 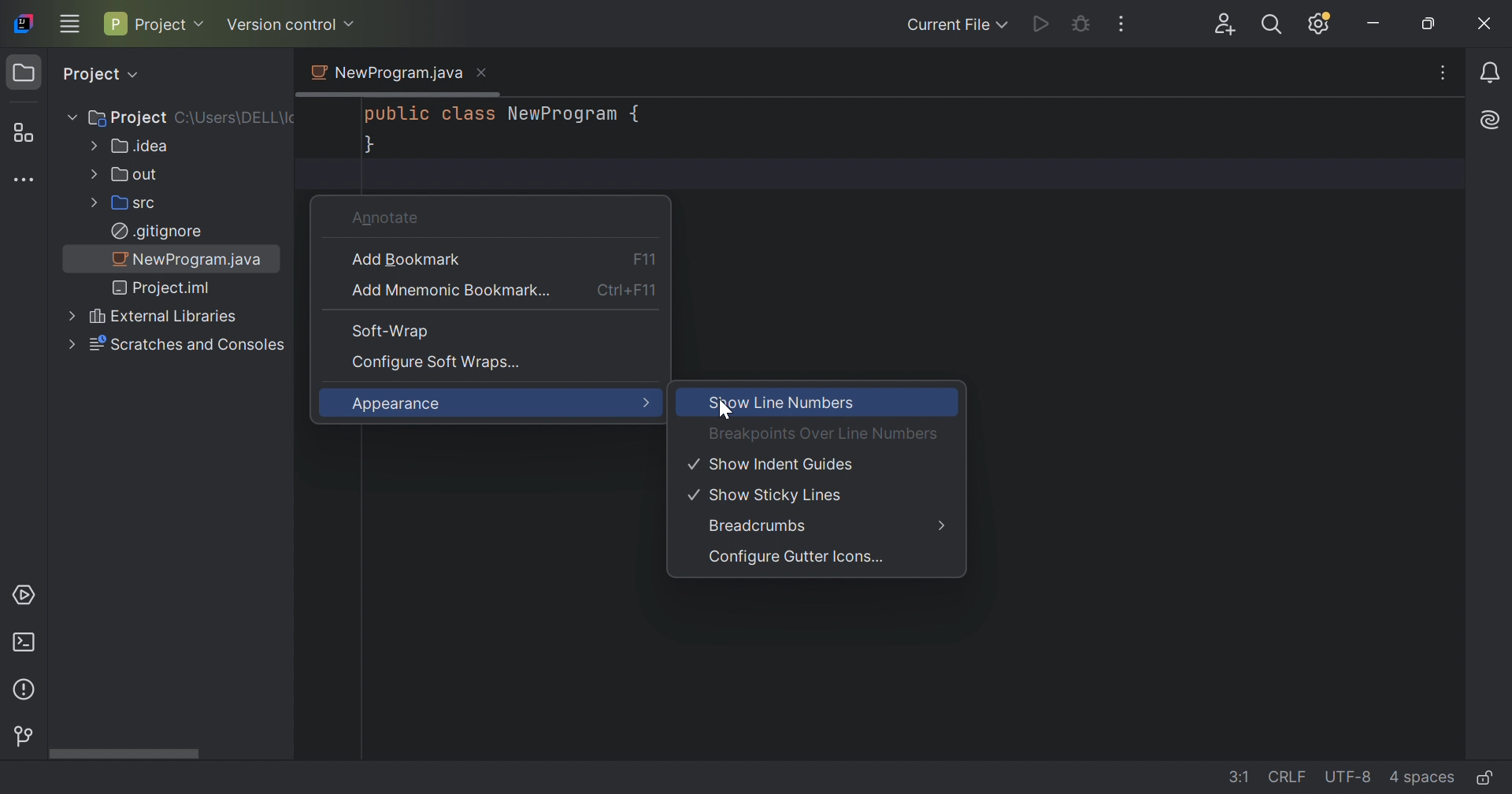 I want to click on Drop Down, so click(x=69, y=314).